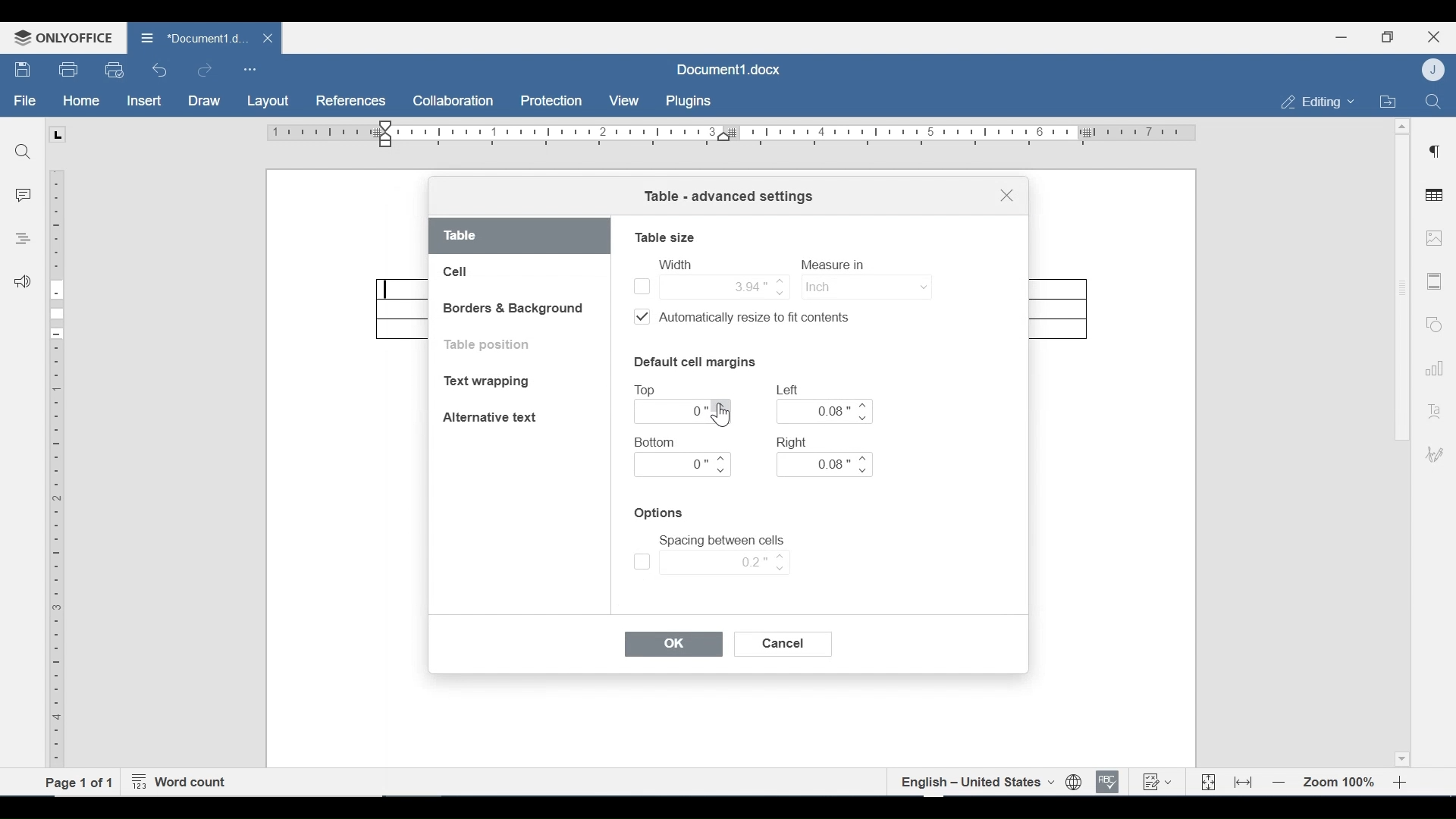  What do you see at coordinates (864, 286) in the screenshot?
I see `Inch` at bounding box center [864, 286].